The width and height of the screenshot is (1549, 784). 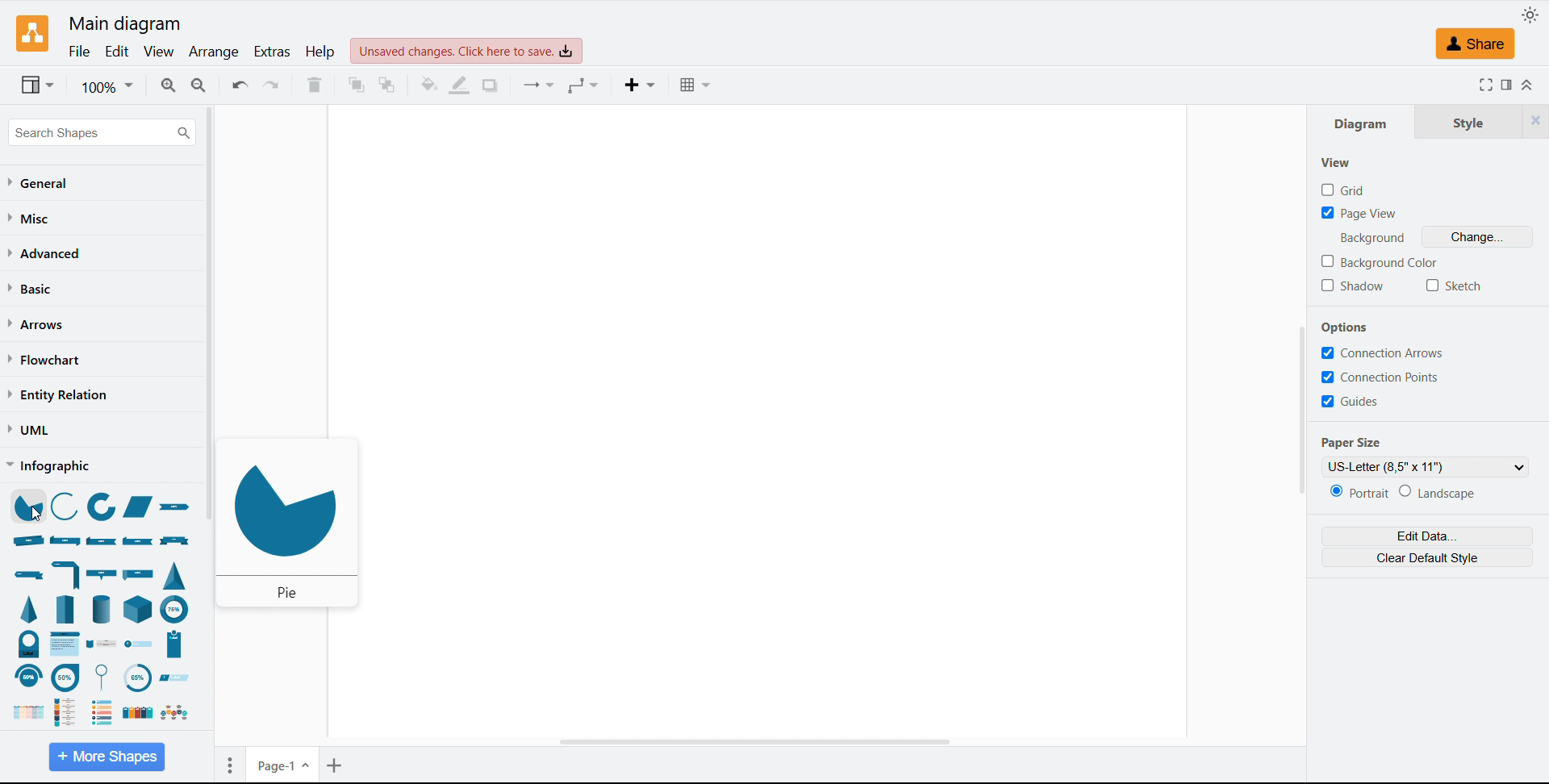 What do you see at coordinates (336, 763) in the screenshot?
I see `Add pages ` at bounding box center [336, 763].